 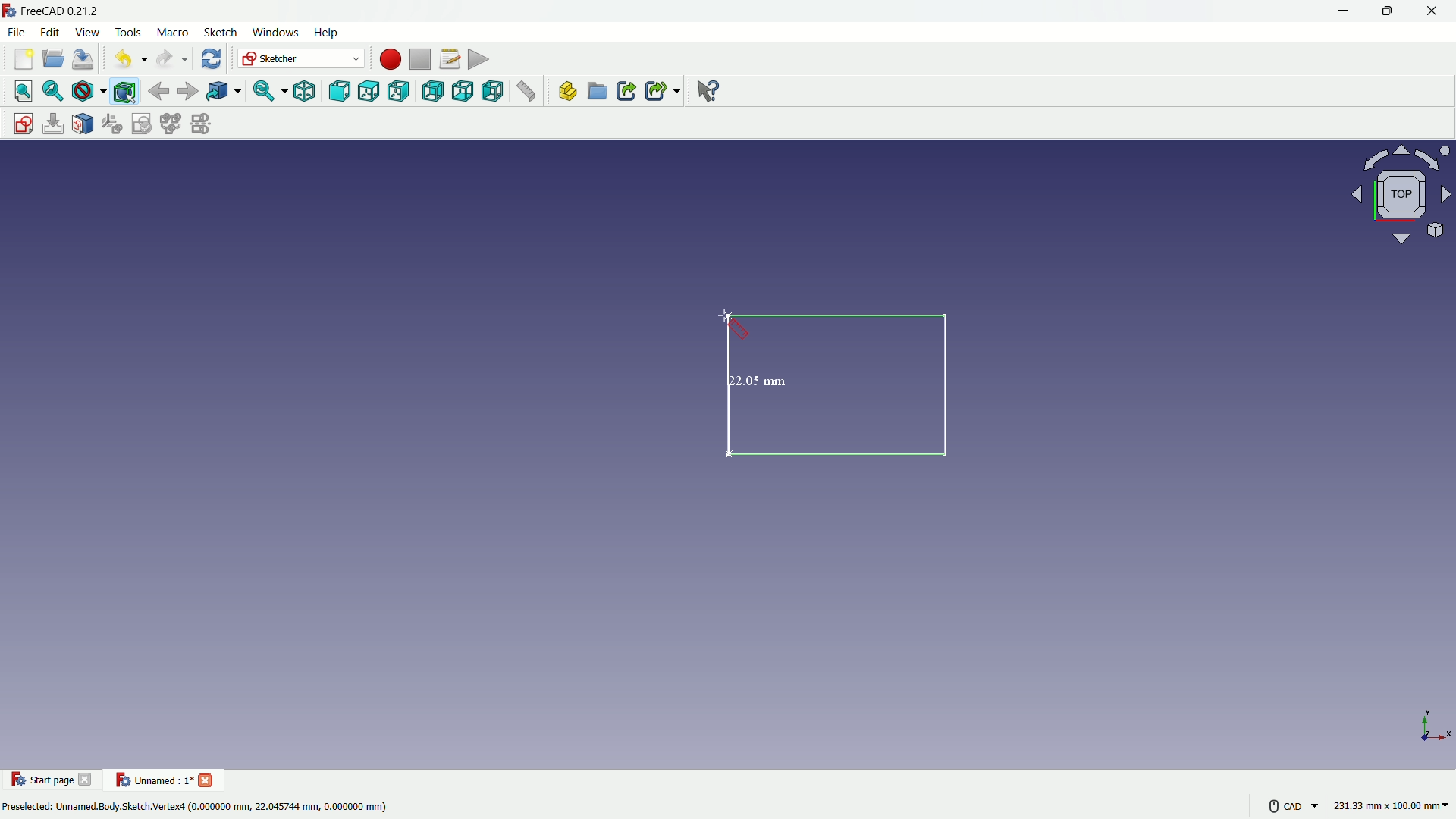 What do you see at coordinates (401, 91) in the screenshot?
I see `right view` at bounding box center [401, 91].